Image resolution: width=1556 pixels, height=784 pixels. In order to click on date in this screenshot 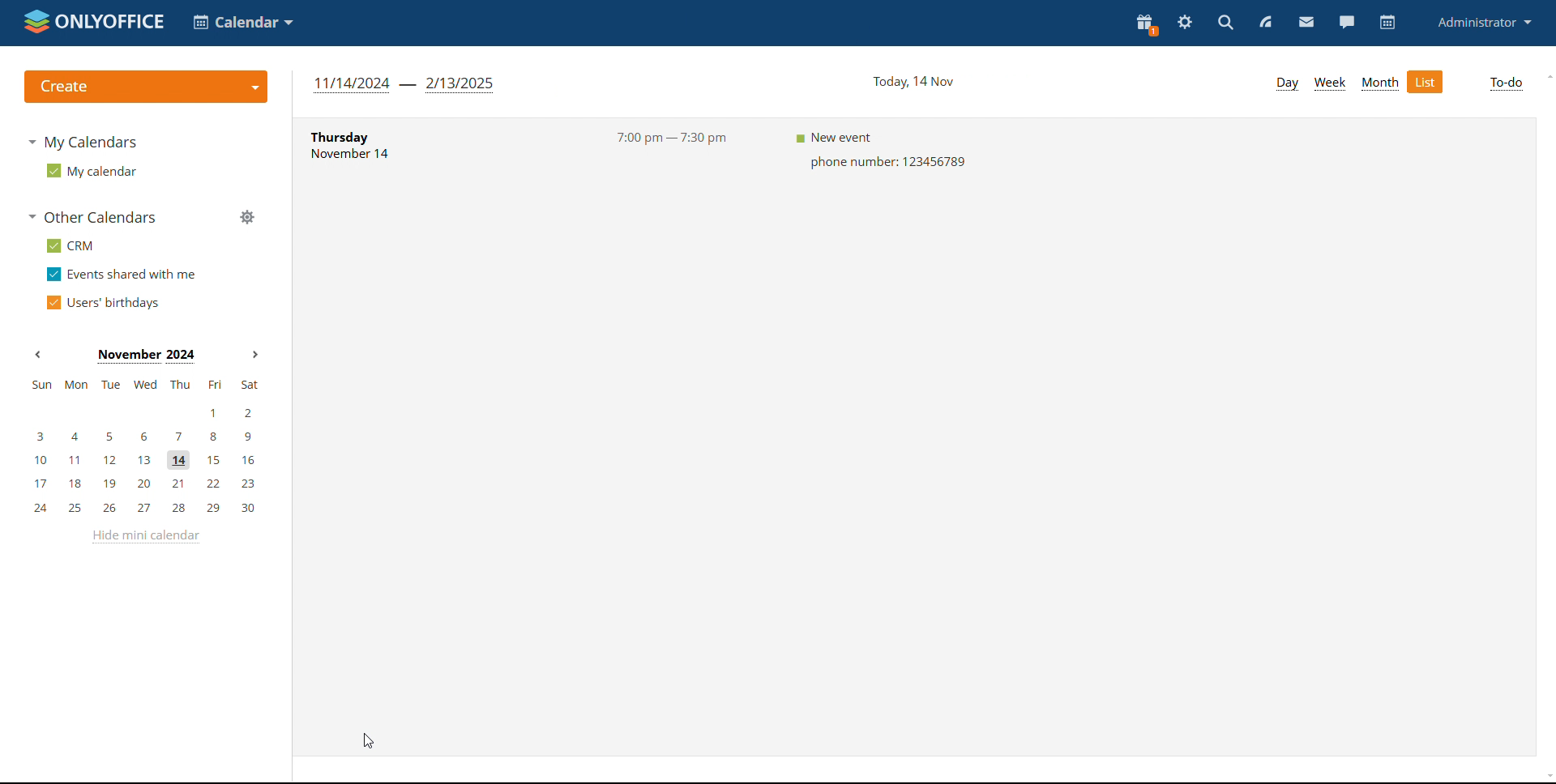, I will do `click(405, 85)`.